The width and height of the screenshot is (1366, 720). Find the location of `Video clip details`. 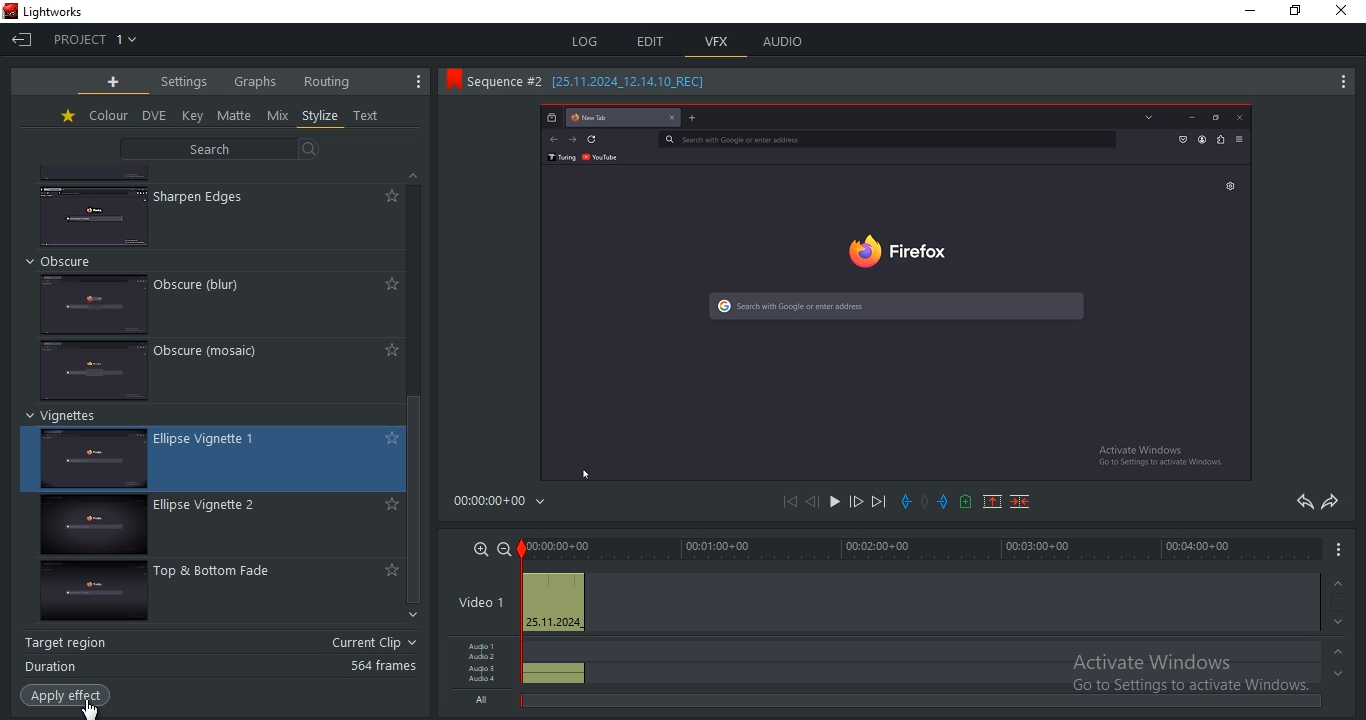

Video clip details is located at coordinates (554, 604).